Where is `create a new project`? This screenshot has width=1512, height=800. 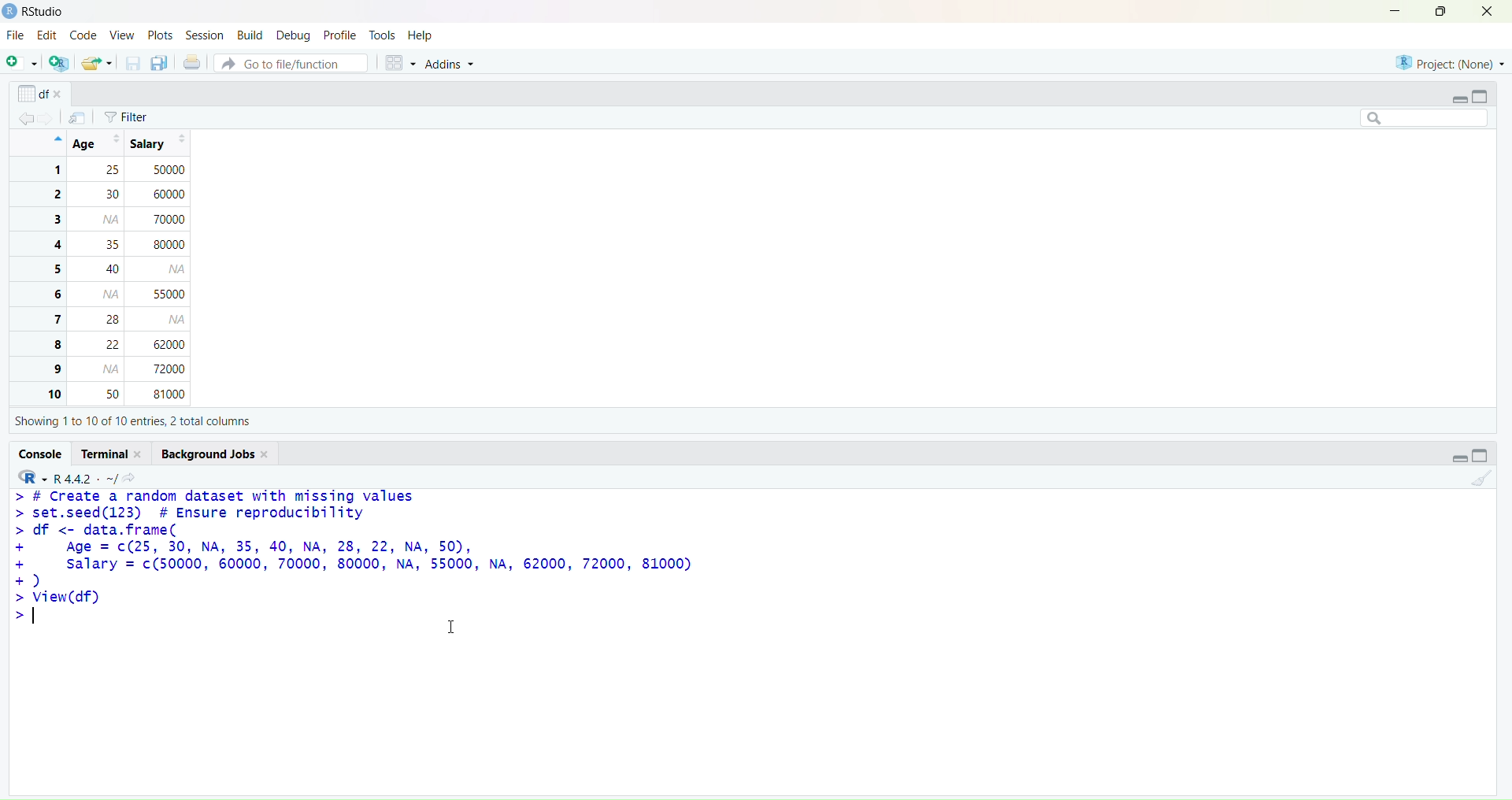
create a new project is located at coordinates (58, 64).